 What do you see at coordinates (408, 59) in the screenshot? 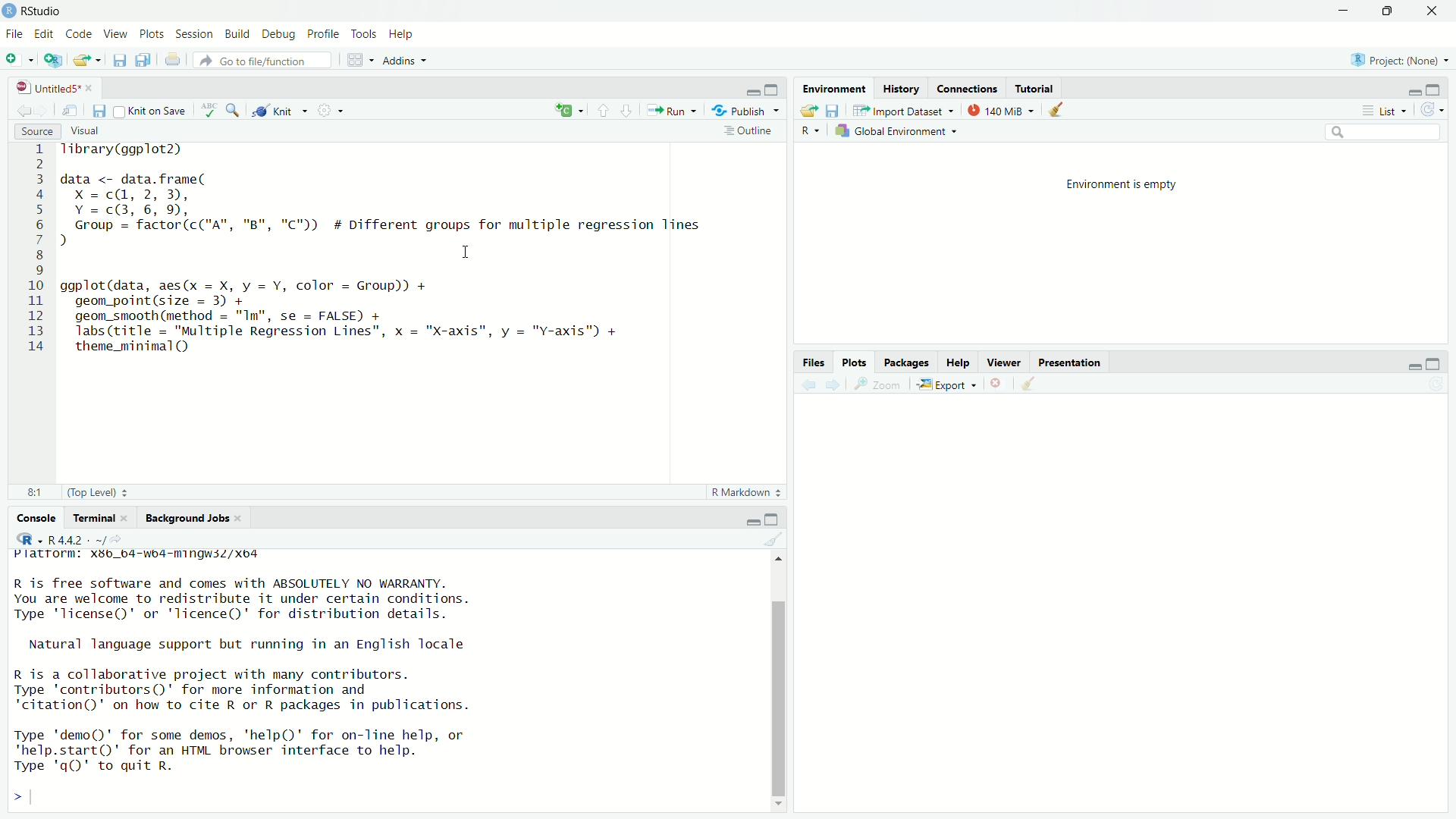
I see `Addins` at bounding box center [408, 59].